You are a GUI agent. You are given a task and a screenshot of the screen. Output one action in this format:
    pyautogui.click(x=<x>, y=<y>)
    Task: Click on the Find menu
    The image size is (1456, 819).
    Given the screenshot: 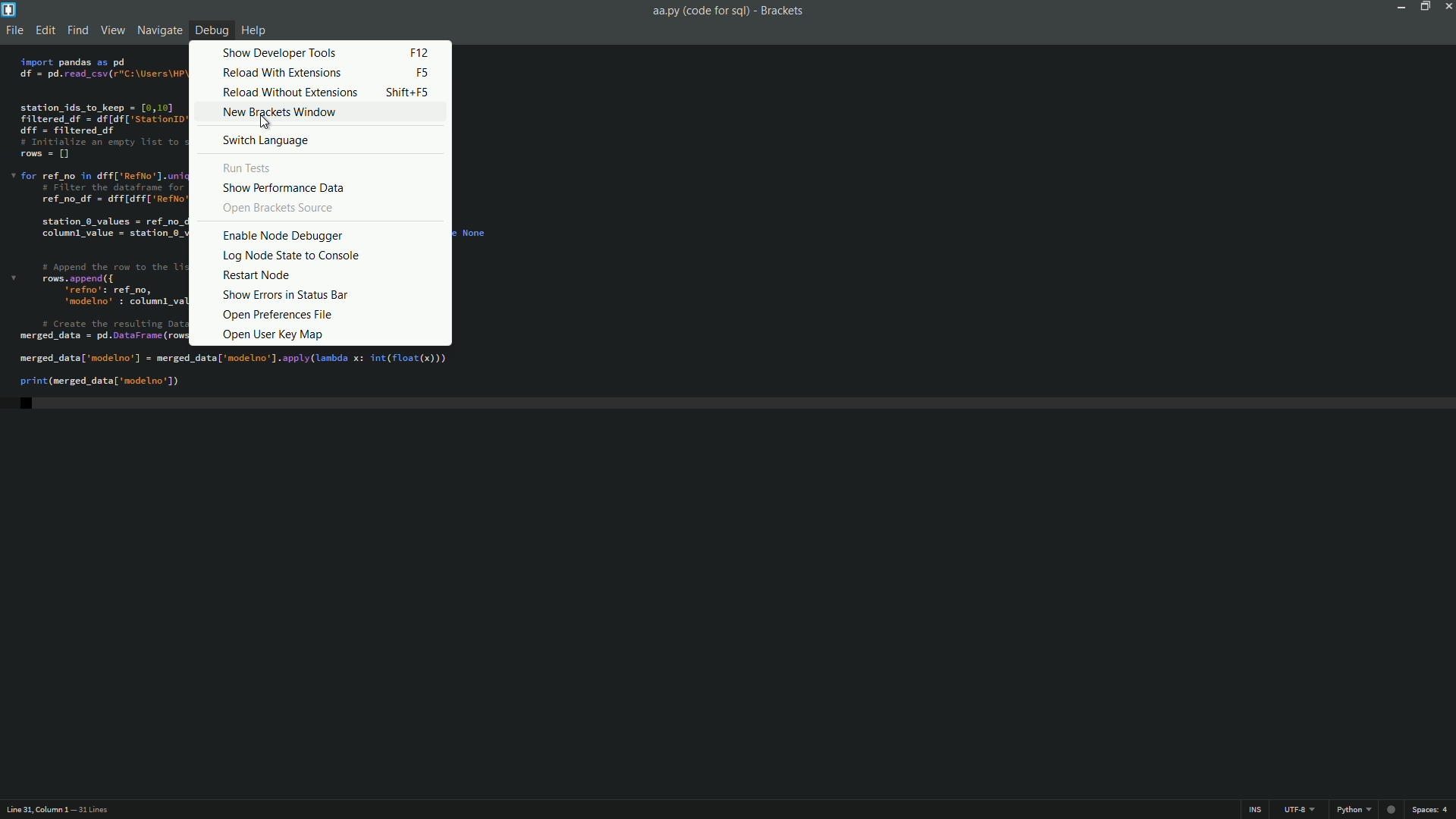 What is the action you would take?
    pyautogui.click(x=76, y=30)
    